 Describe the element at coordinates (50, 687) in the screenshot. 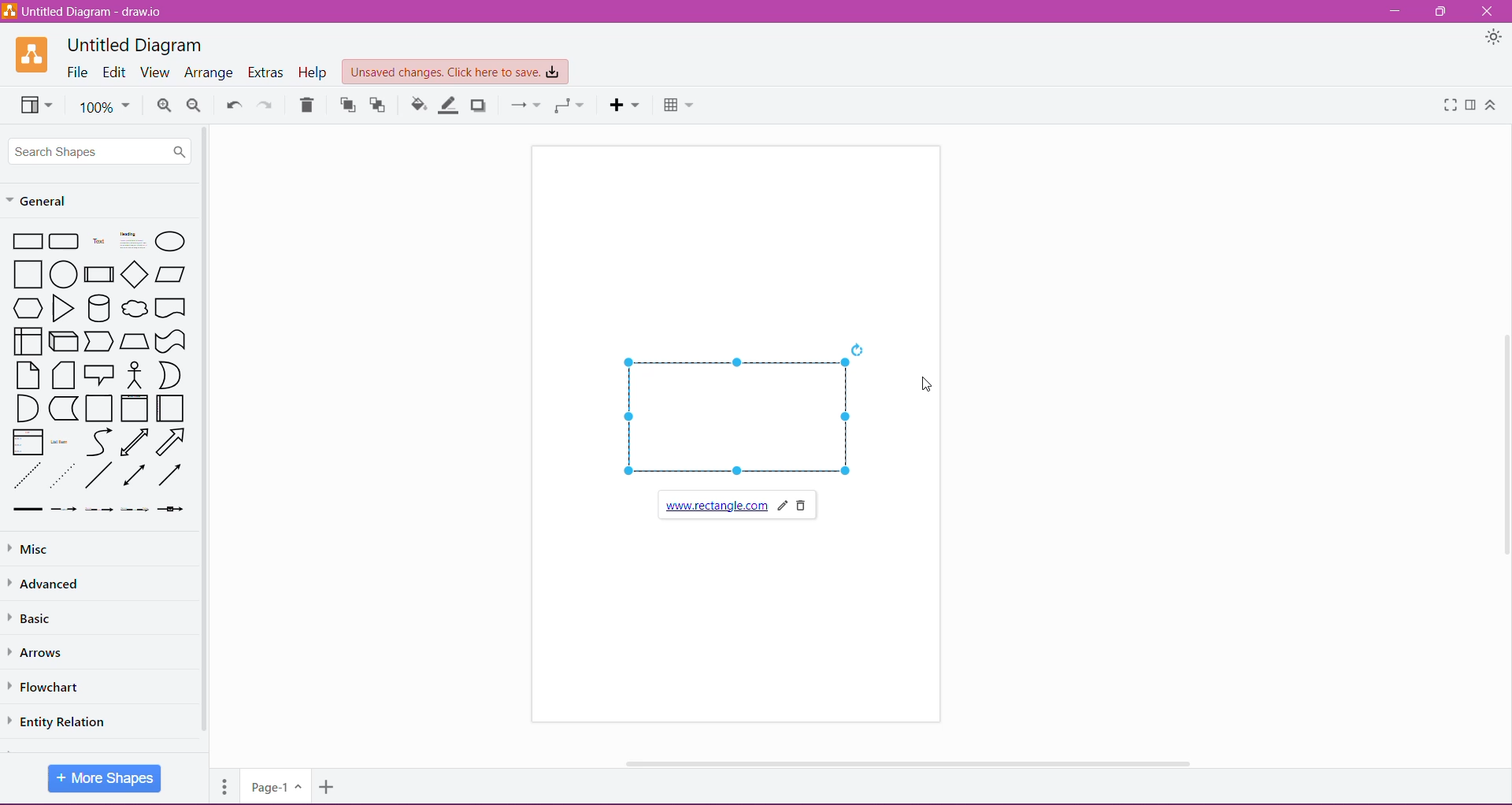

I see `Flowchart` at that location.